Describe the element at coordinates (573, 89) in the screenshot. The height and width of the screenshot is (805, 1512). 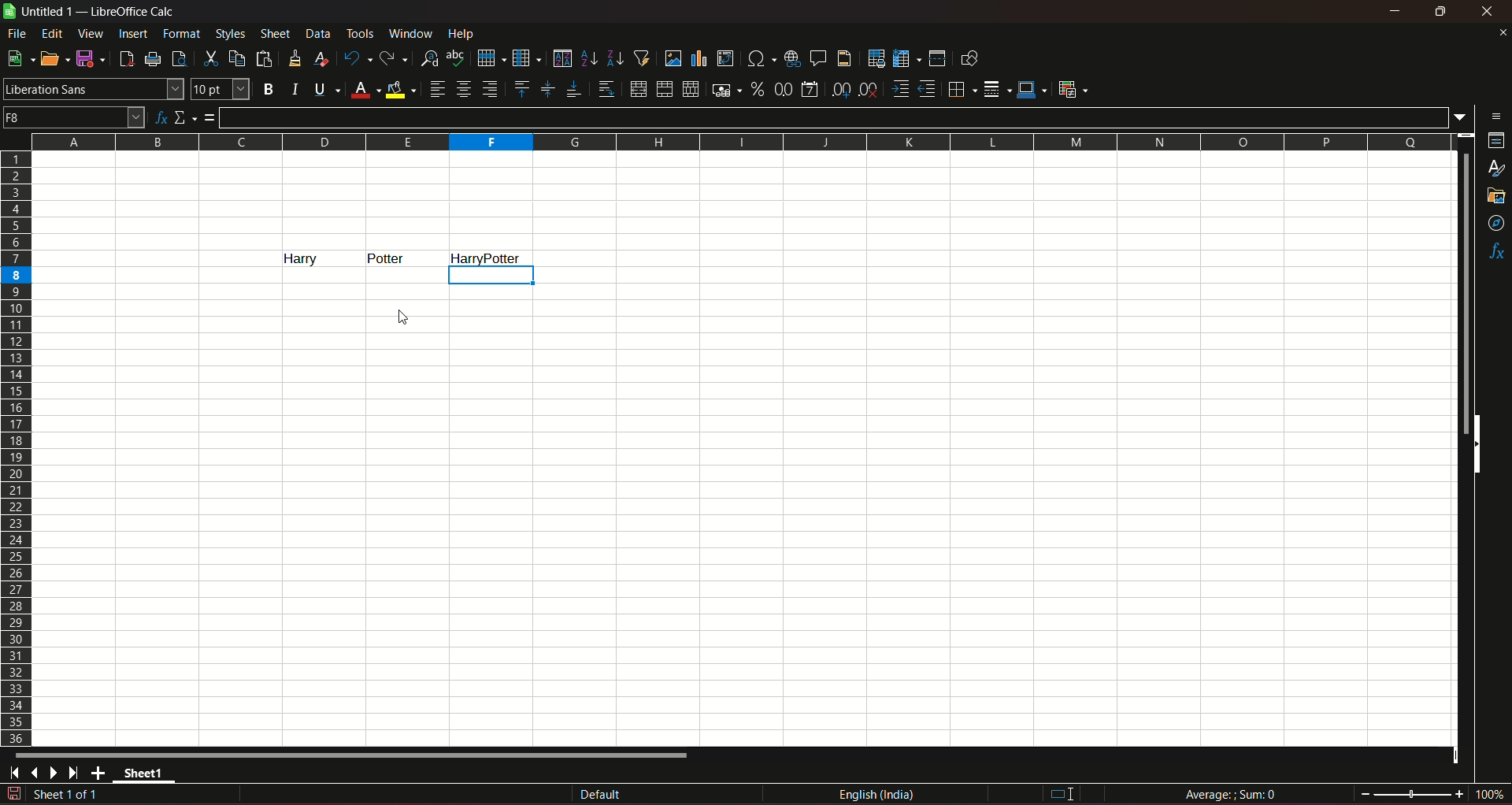
I see `align bottom` at that location.